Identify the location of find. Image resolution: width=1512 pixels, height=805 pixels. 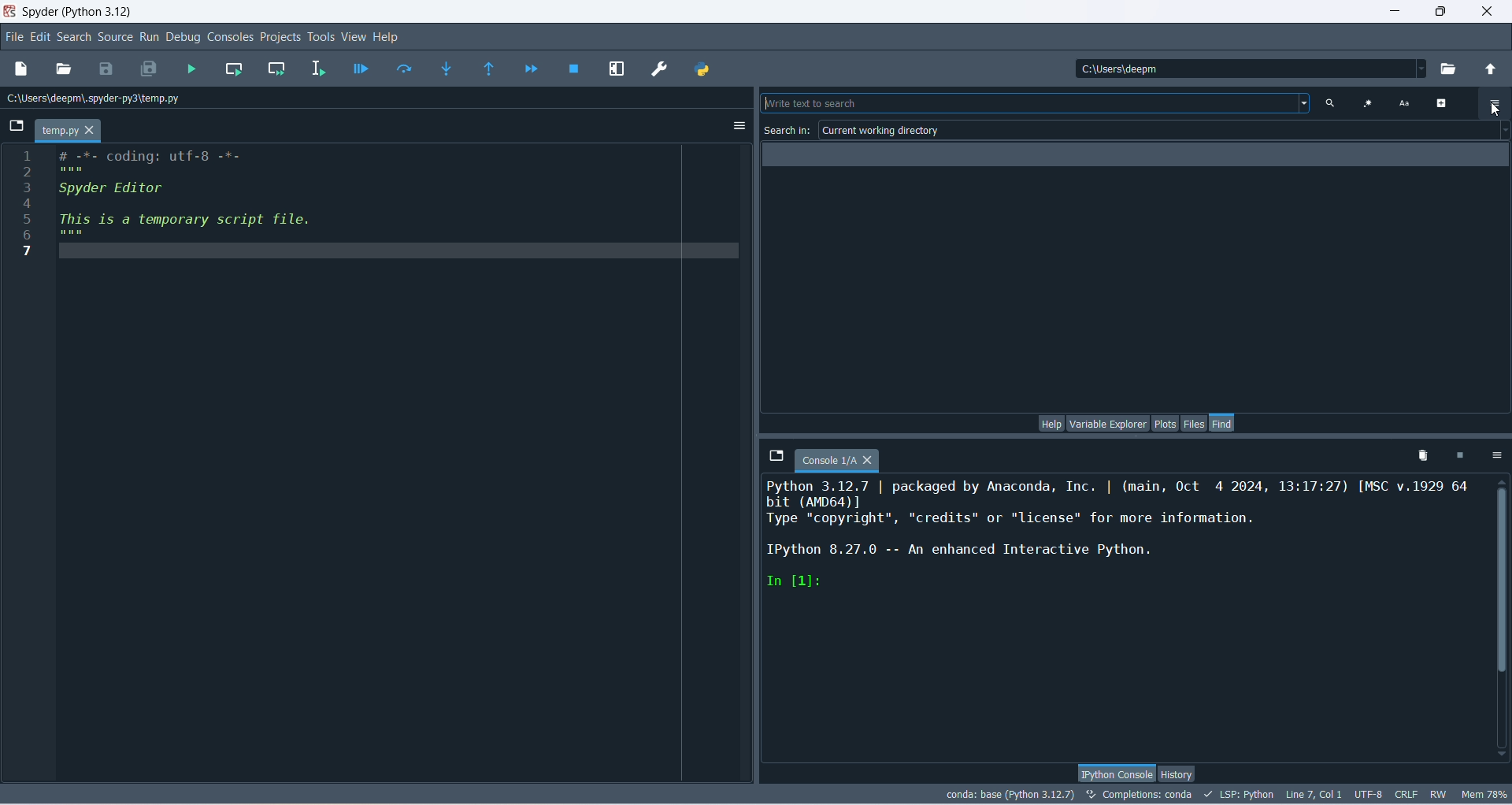
(1223, 422).